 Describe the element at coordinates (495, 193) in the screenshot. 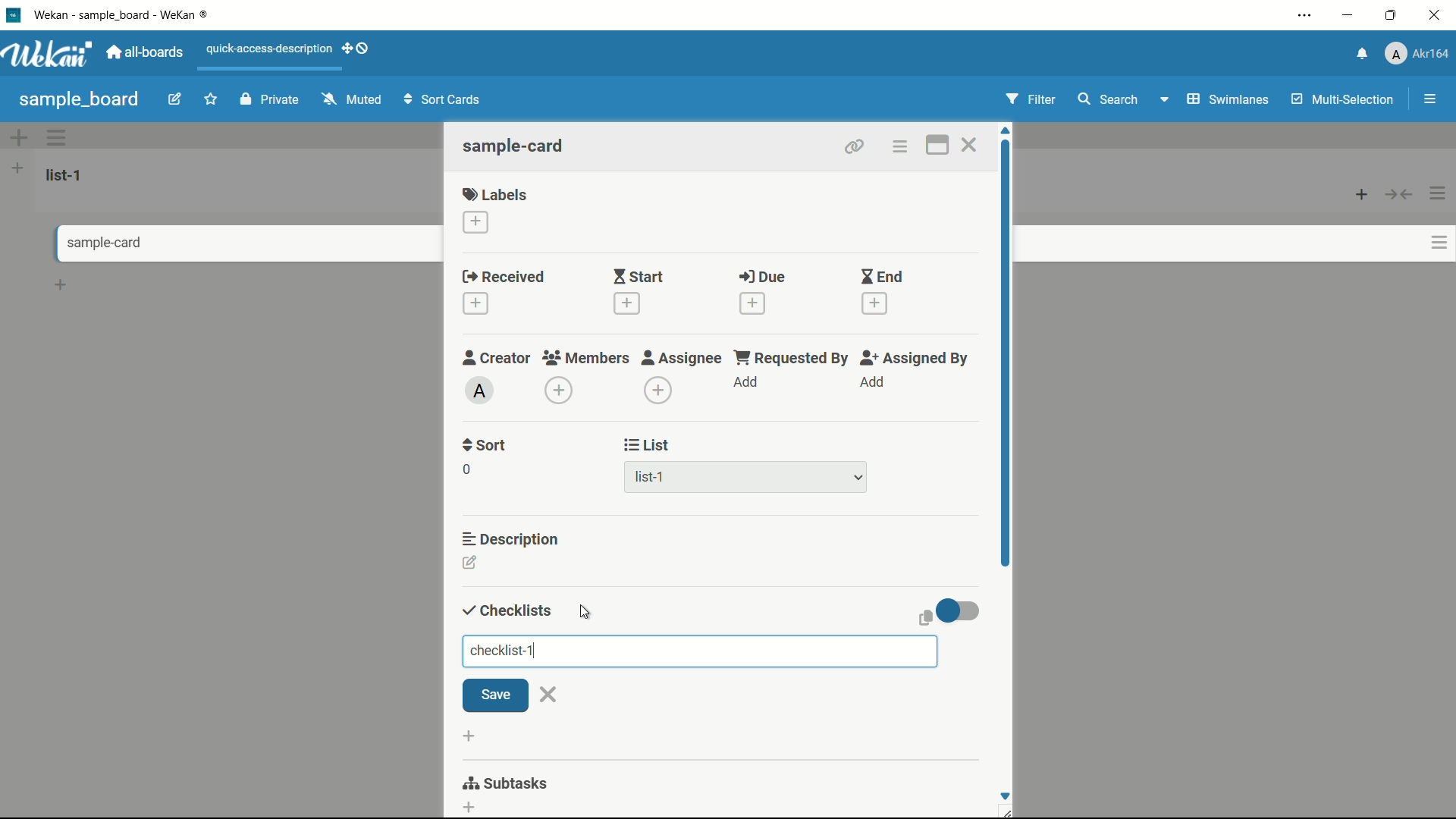

I see `labels` at that location.